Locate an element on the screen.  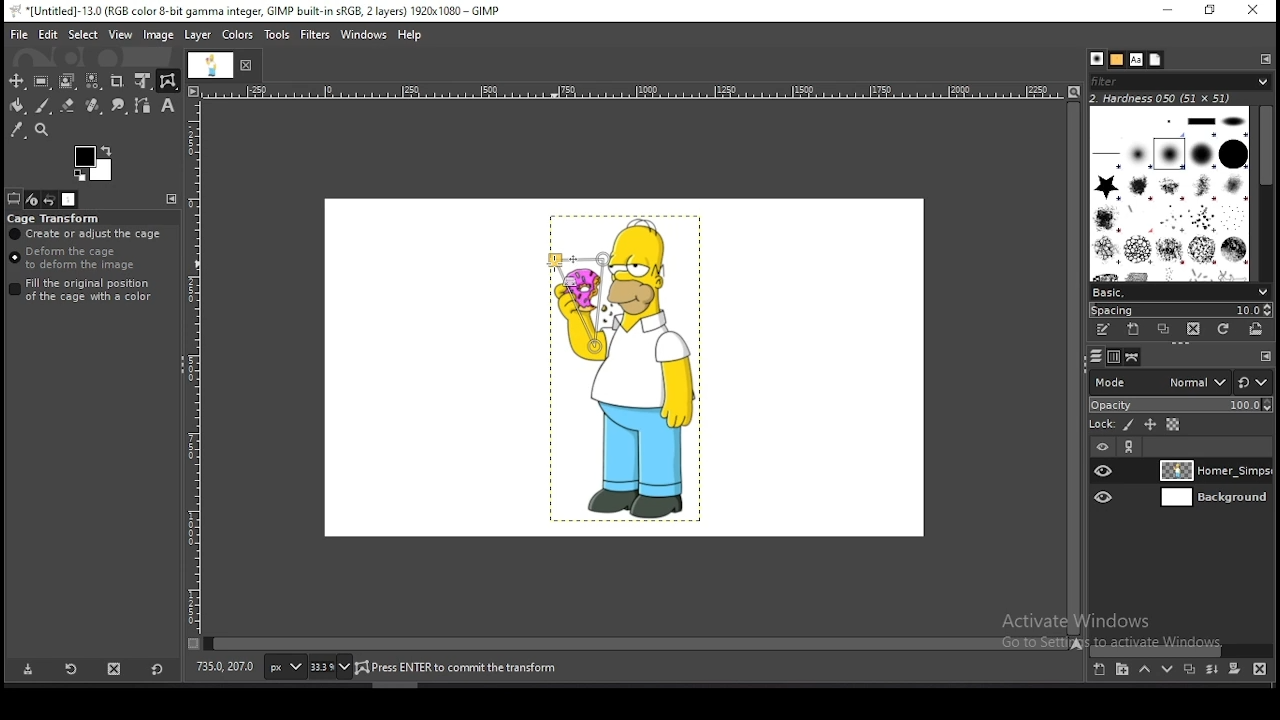
add a mask is located at coordinates (1232, 669).